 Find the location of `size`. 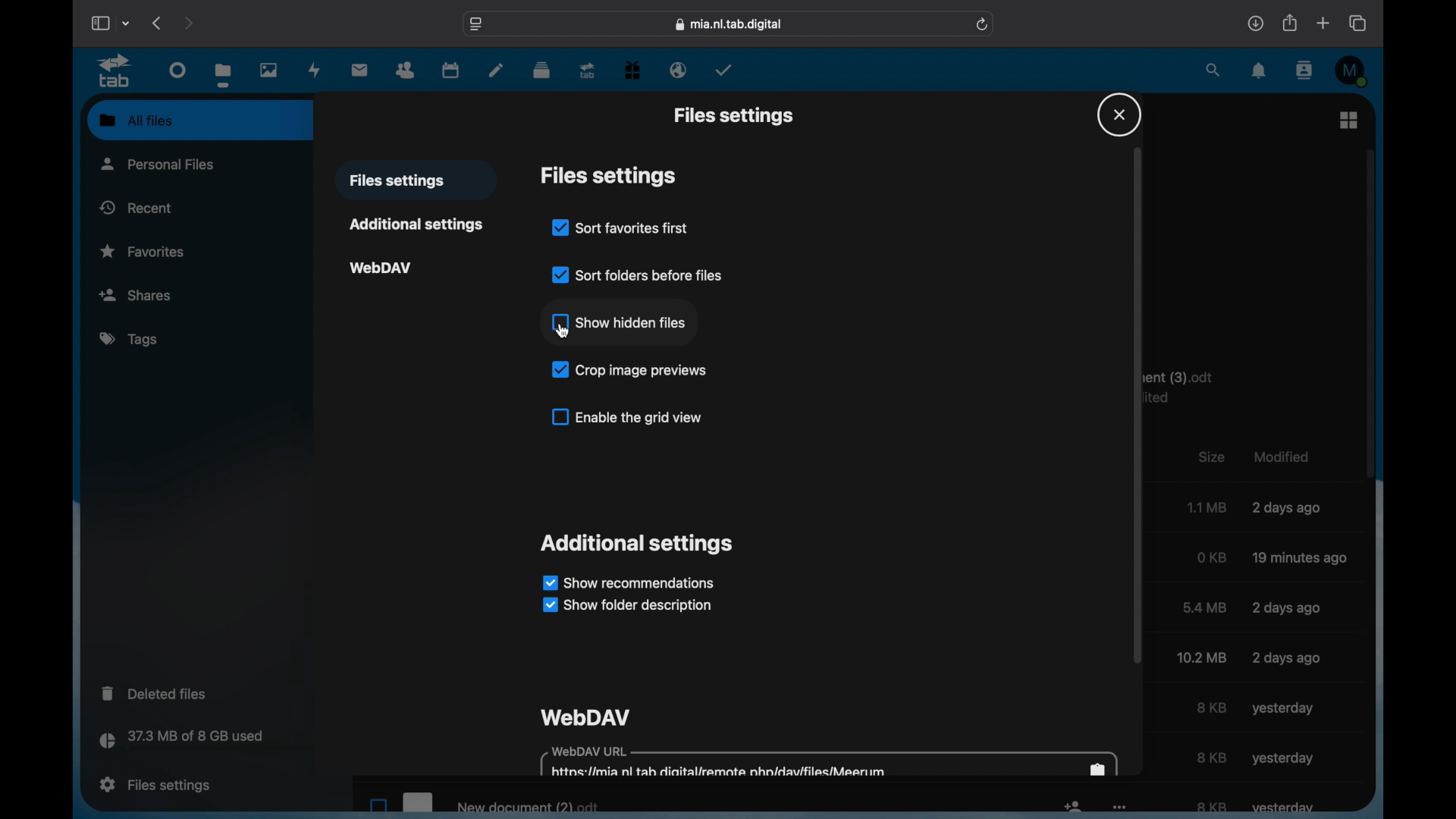

size is located at coordinates (1200, 657).